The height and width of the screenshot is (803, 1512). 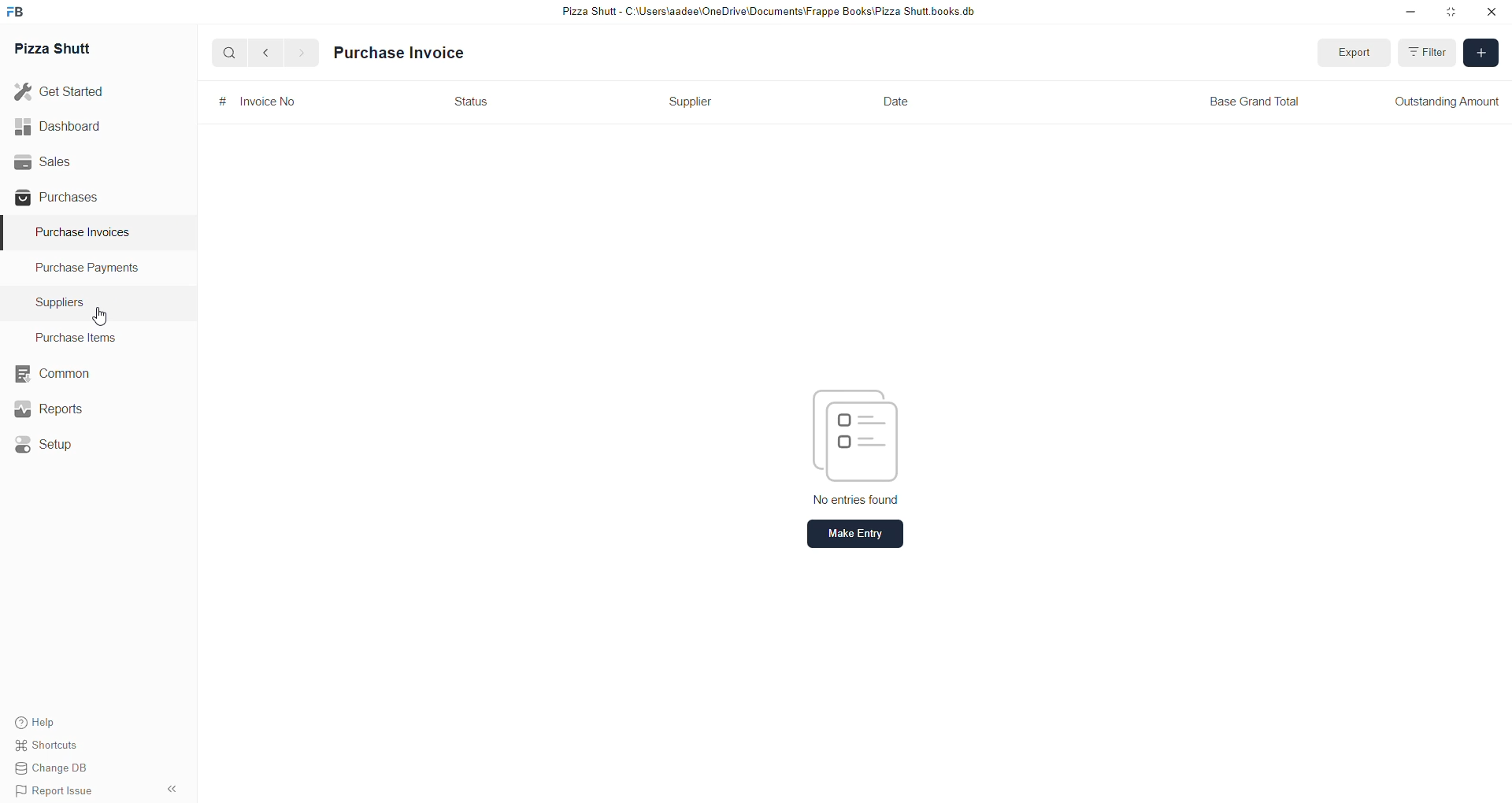 What do you see at coordinates (476, 102) in the screenshot?
I see `Status` at bounding box center [476, 102].